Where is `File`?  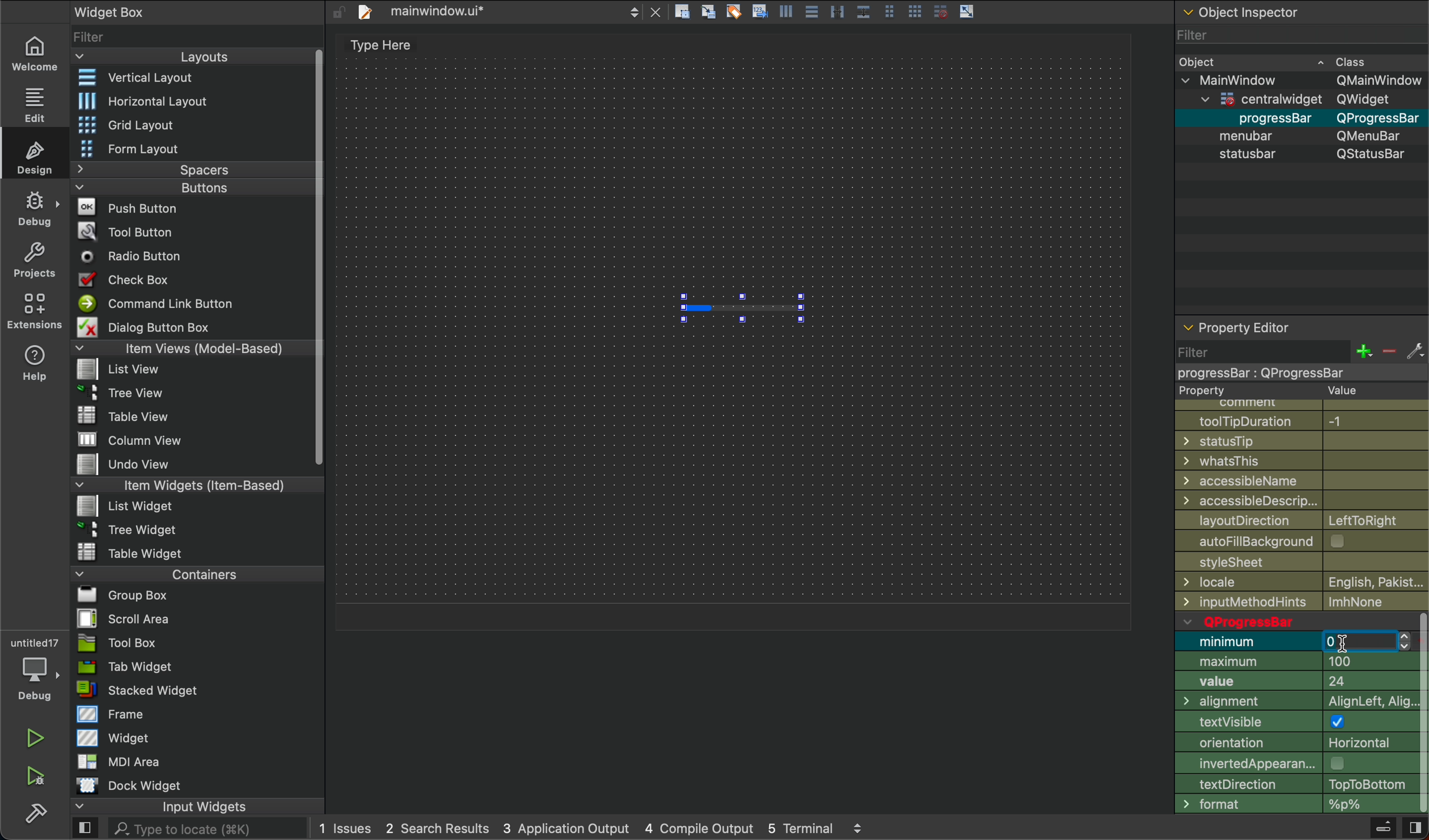 File is located at coordinates (116, 595).